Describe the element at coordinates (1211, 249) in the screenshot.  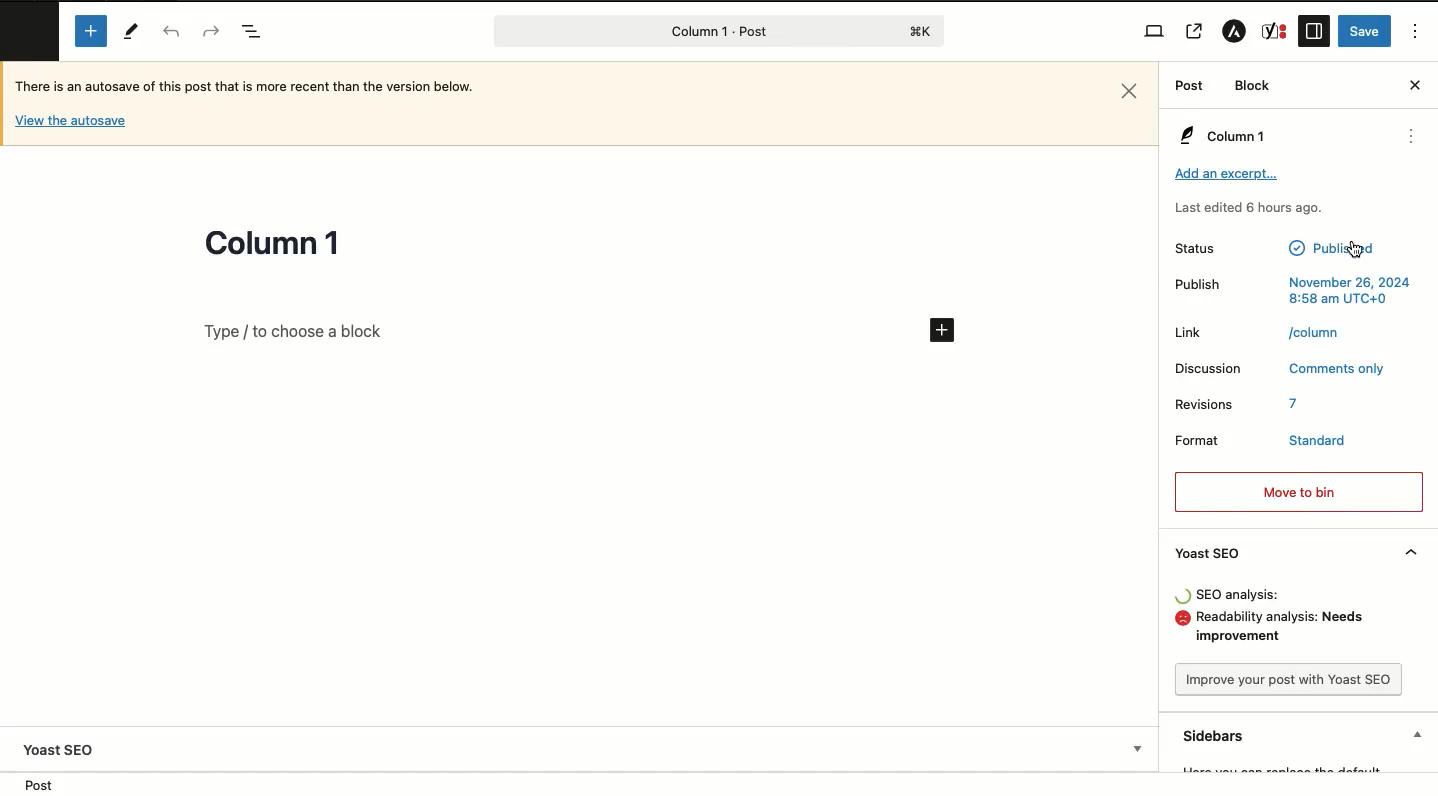
I see `Status` at that location.